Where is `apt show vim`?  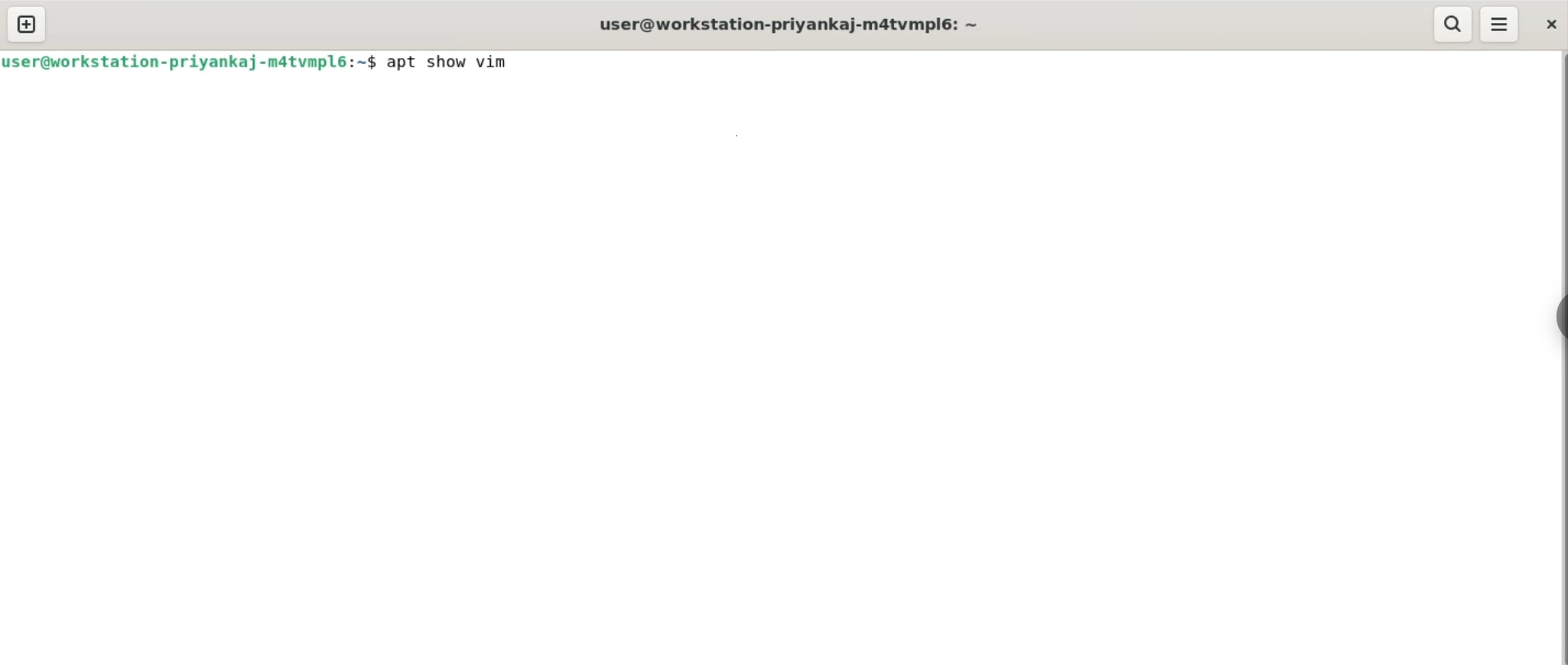 apt show vim is located at coordinates (452, 62).